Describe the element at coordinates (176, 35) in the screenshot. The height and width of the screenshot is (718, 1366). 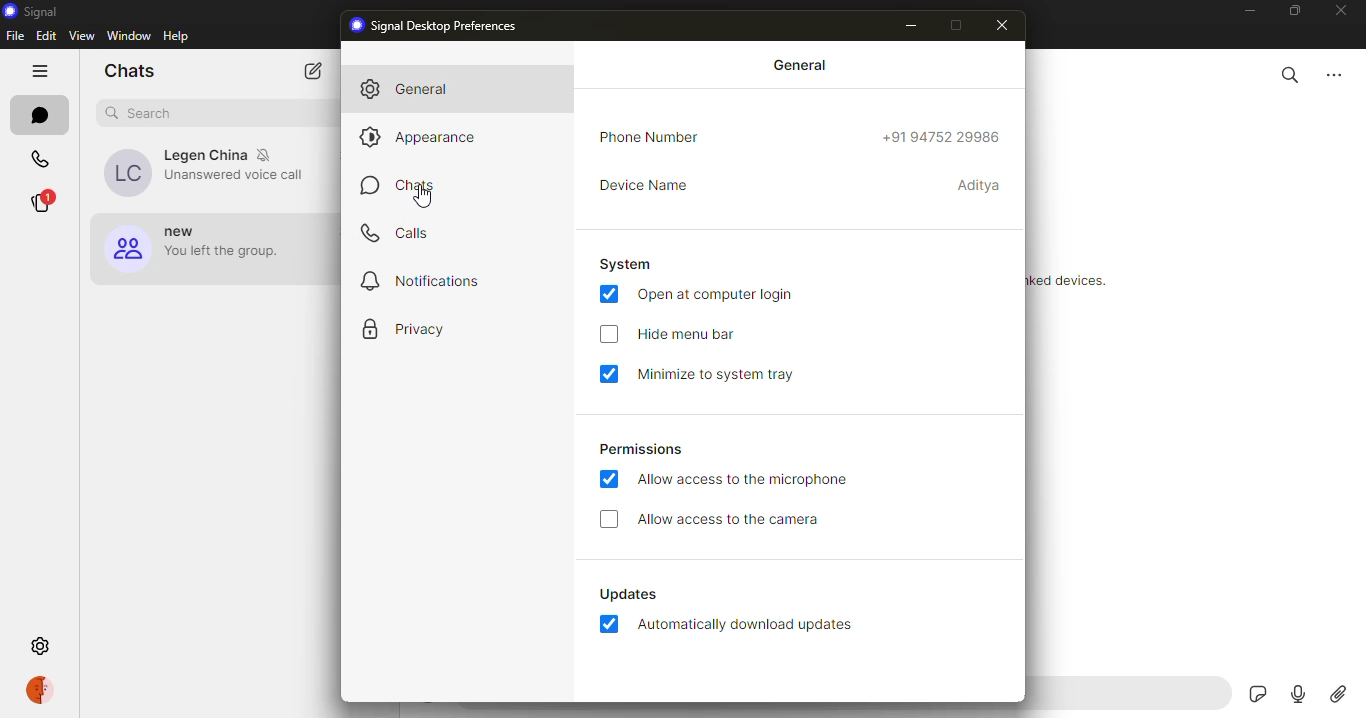
I see `help` at that location.